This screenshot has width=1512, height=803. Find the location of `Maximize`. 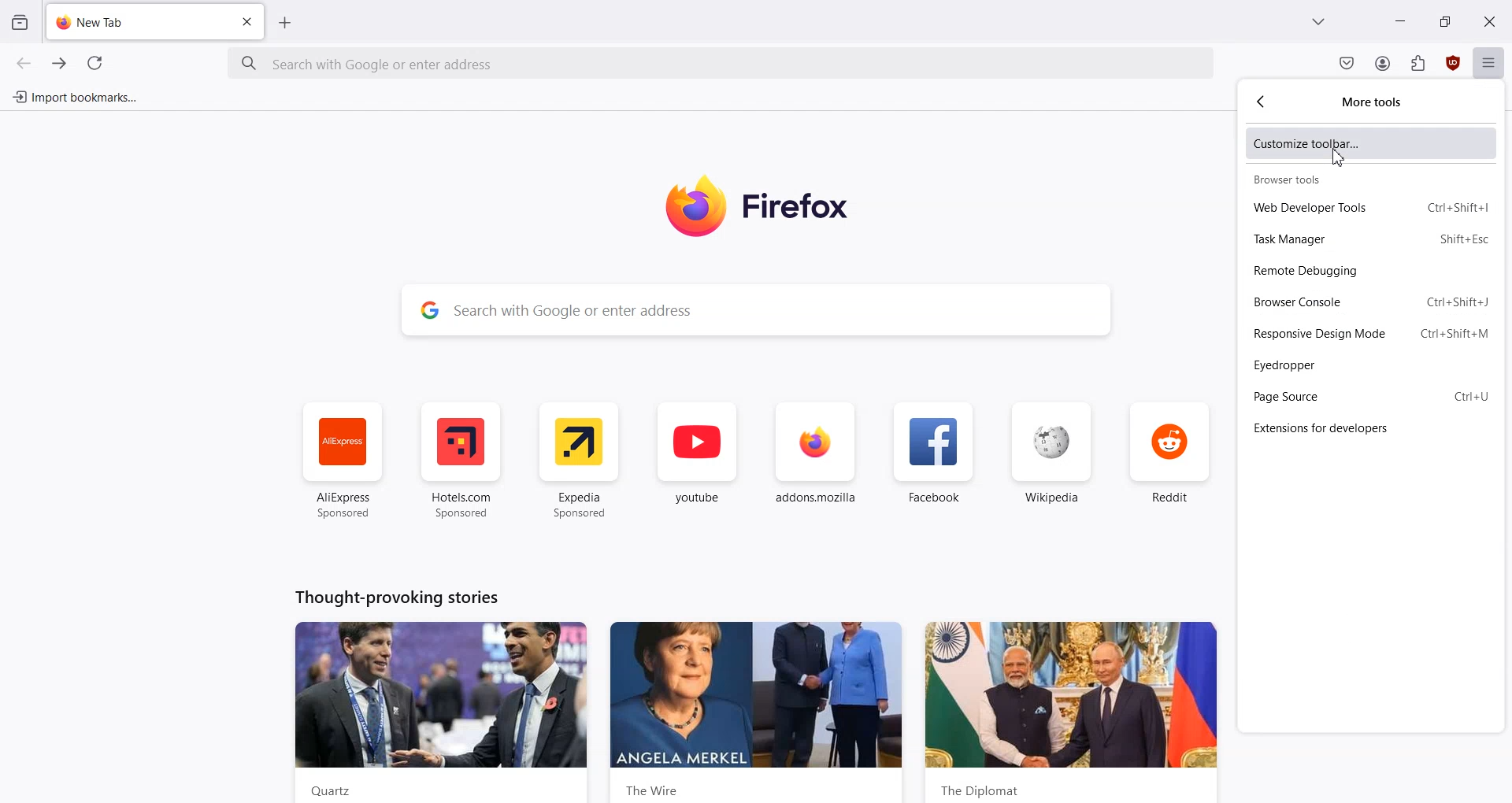

Maximize is located at coordinates (1444, 20).